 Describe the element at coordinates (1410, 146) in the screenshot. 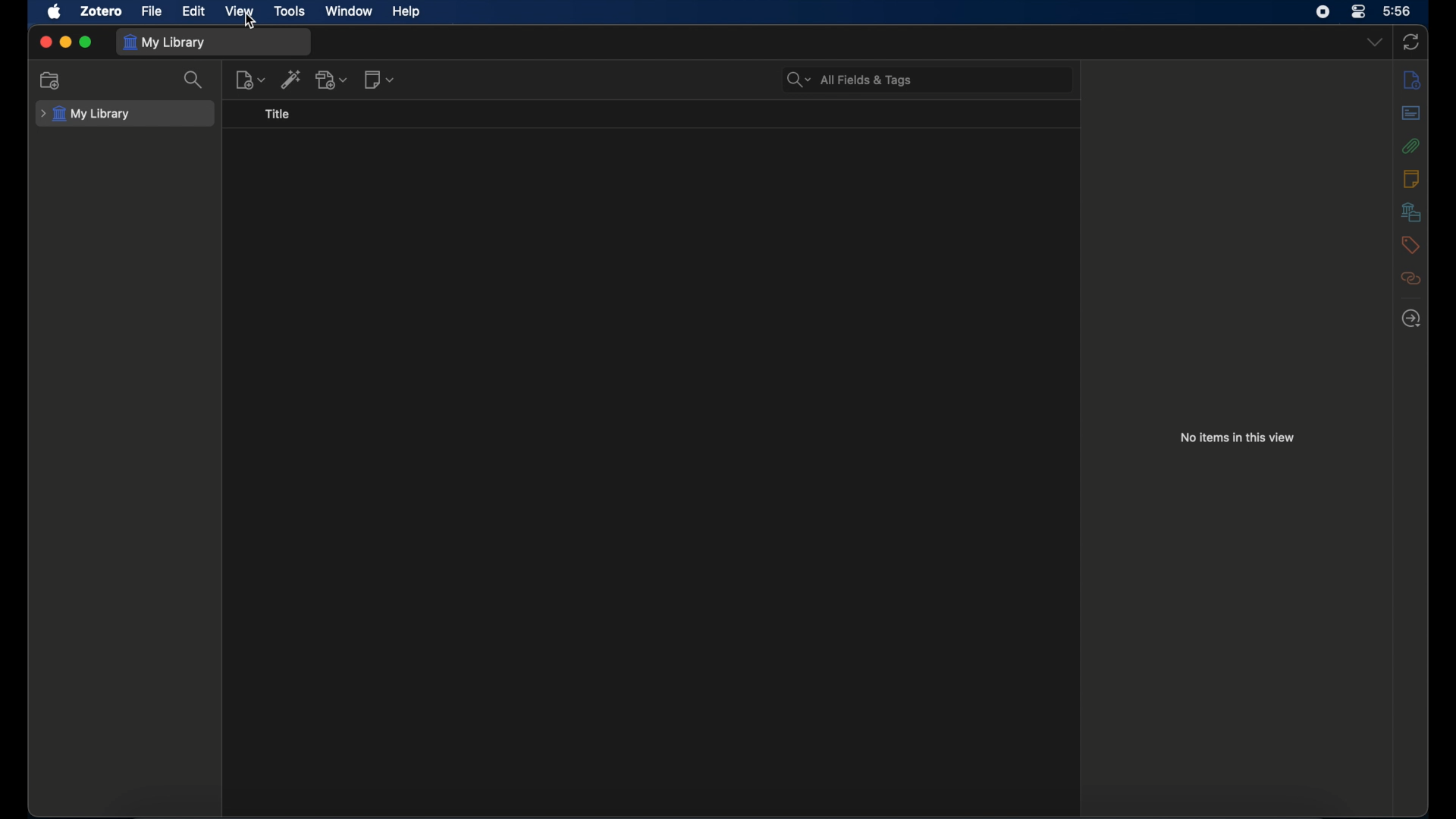

I see `attachments` at that location.